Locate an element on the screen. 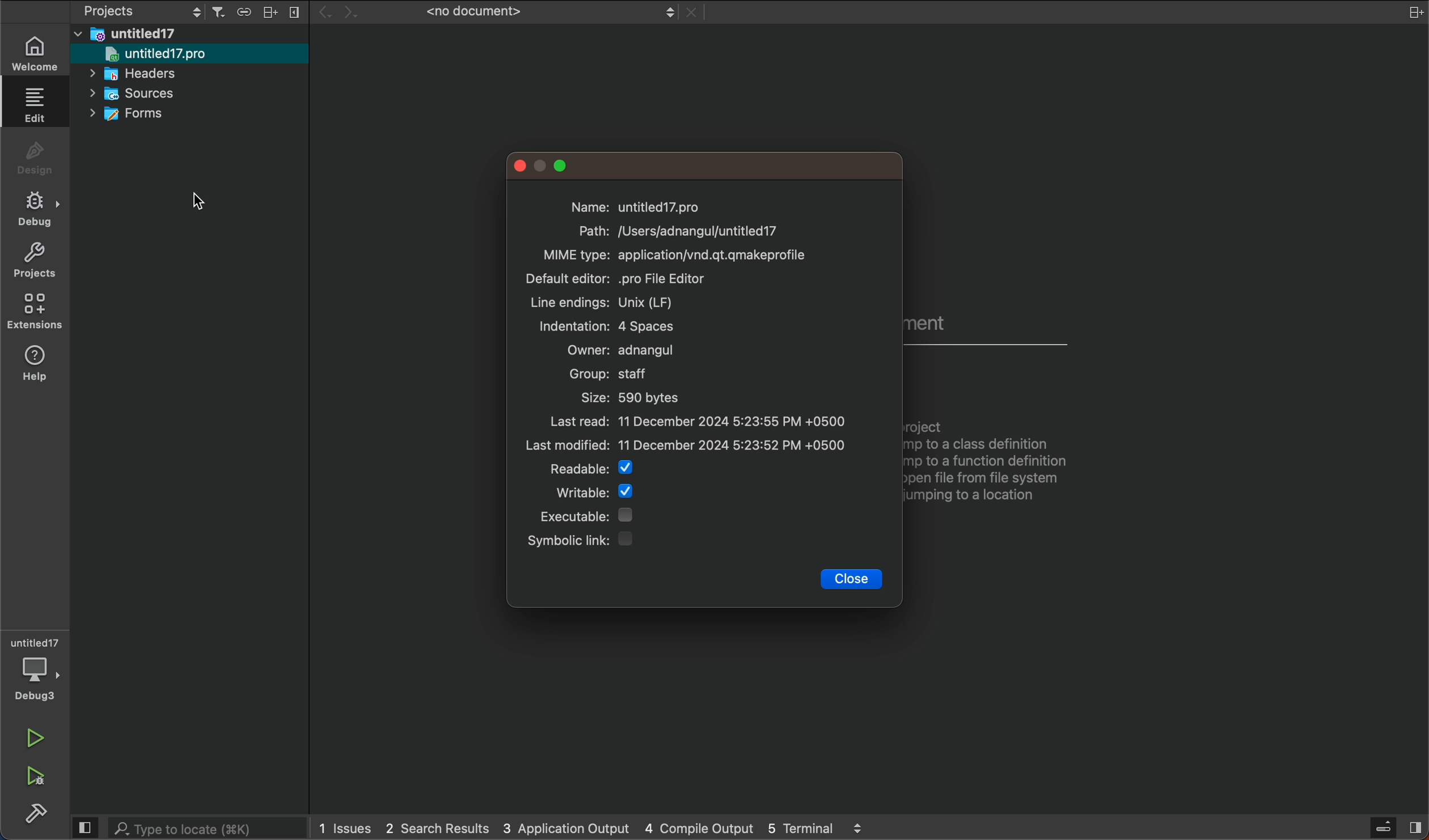 This screenshot has width=1429, height=840. debugger is located at coordinates (38, 667).